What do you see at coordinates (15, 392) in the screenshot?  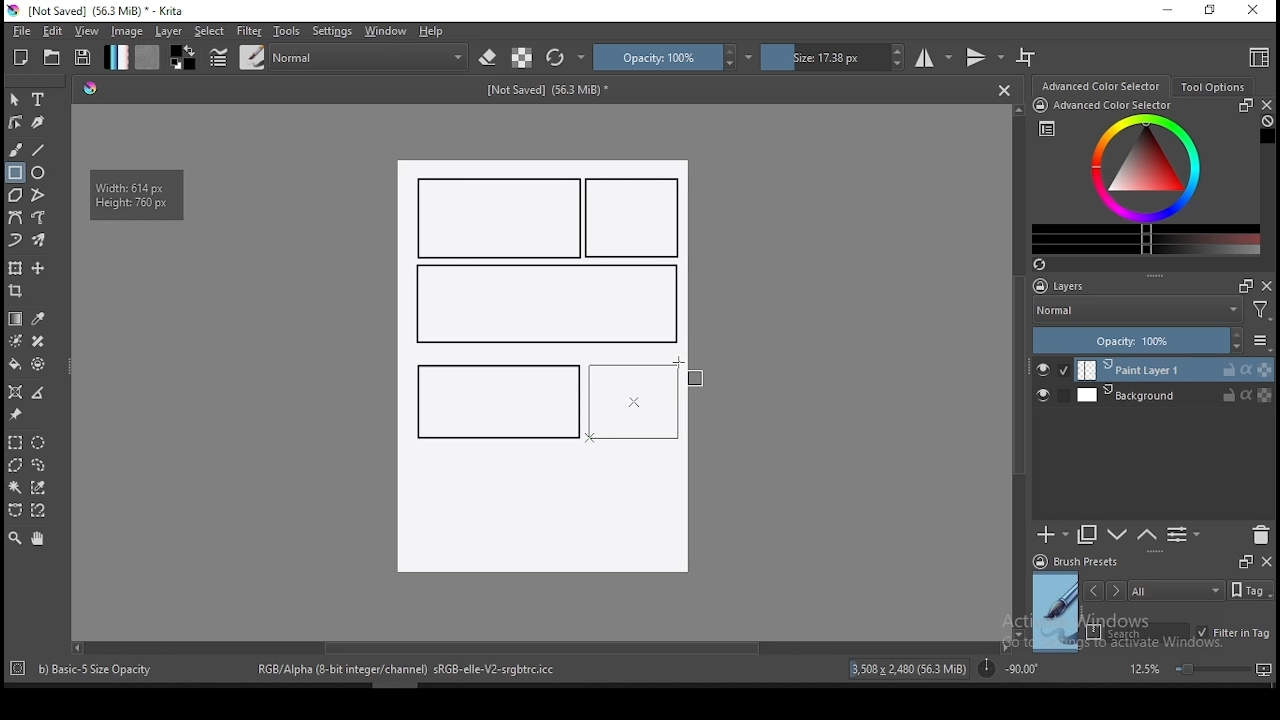 I see `assistant tool` at bounding box center [15, 392].